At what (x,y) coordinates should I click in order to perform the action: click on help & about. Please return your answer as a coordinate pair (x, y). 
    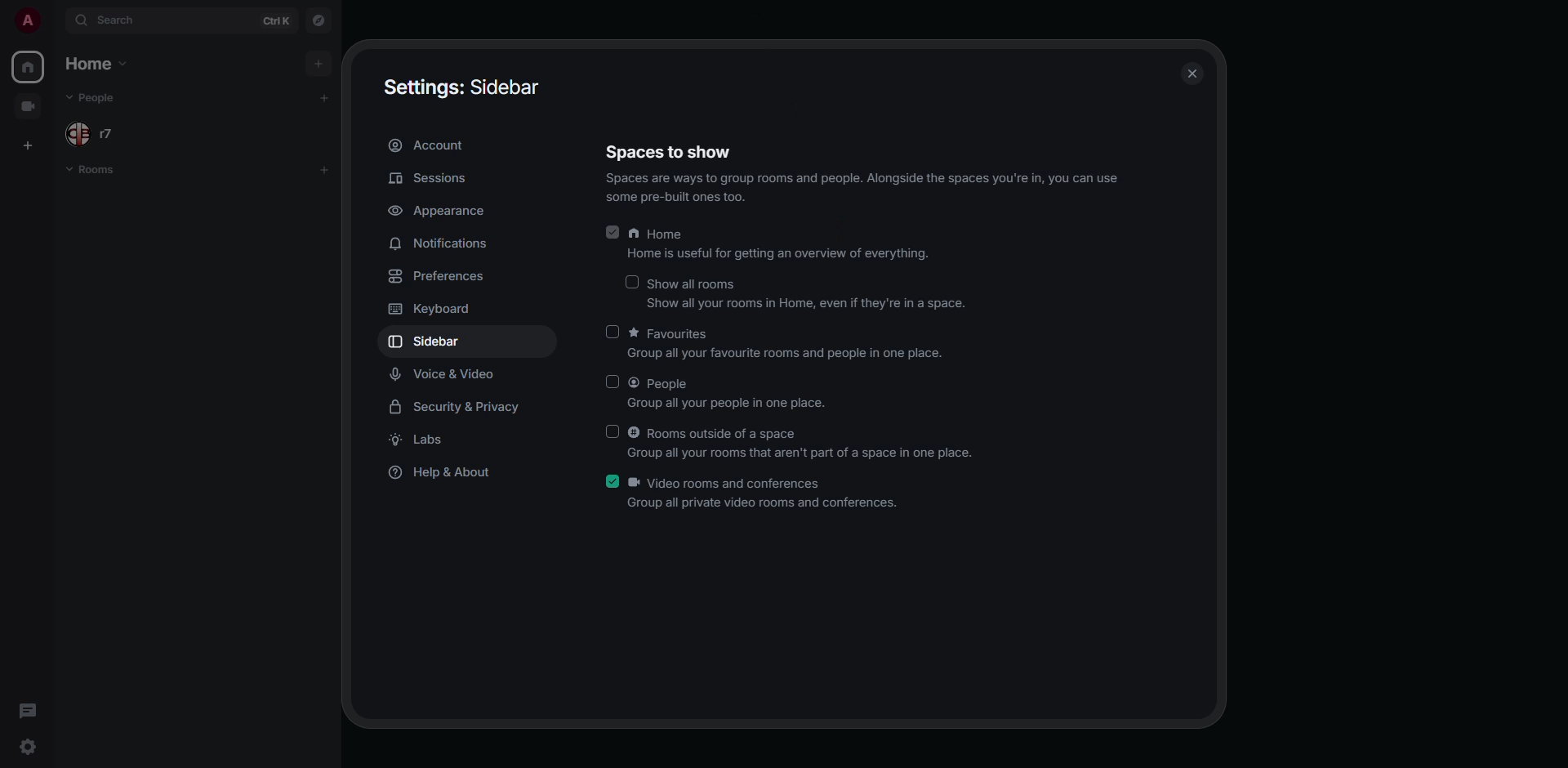
    Looking at the image, I should click on (446, 473).